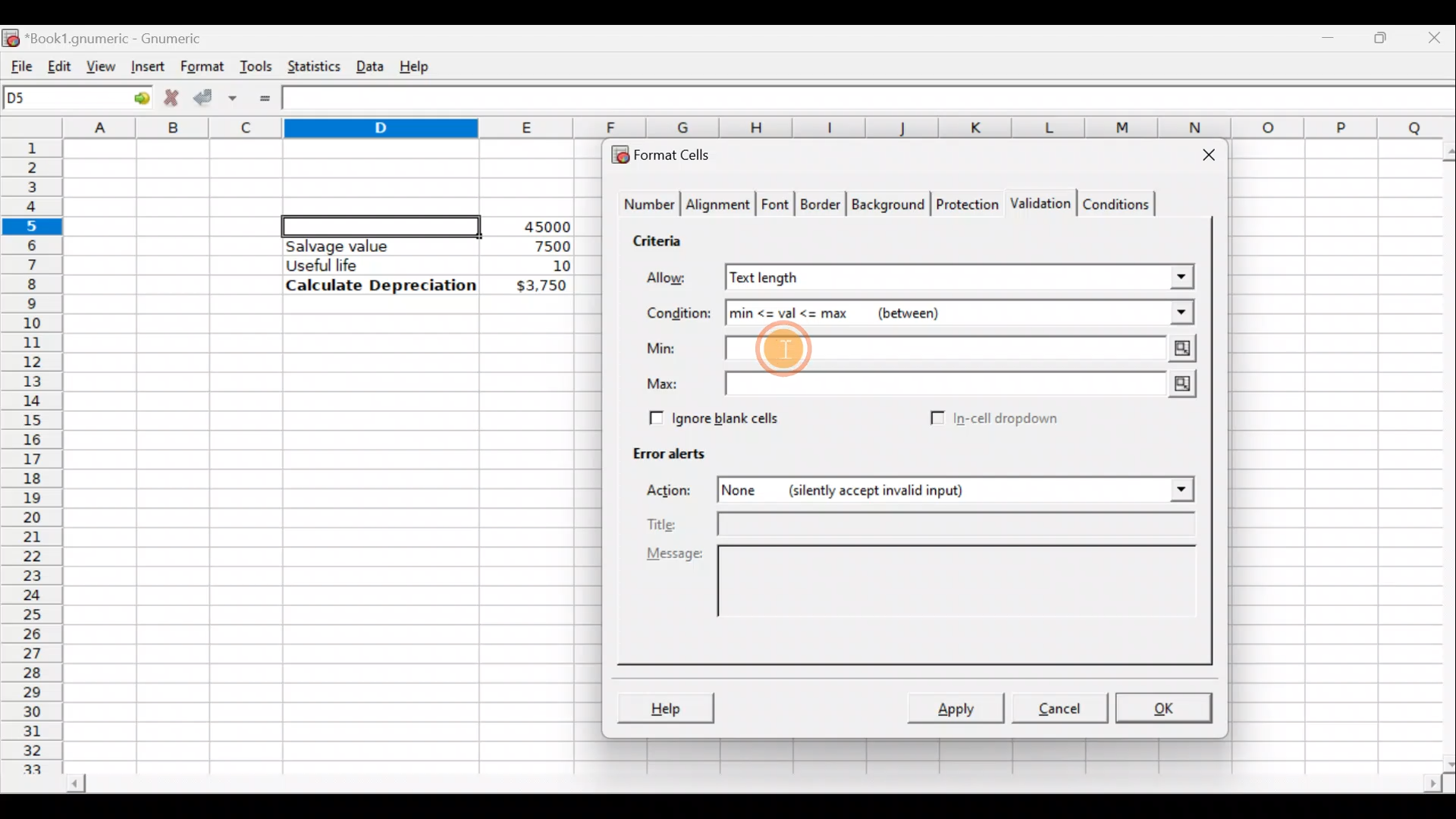 The image size is (1456, 819). I want to click on Allow, so click(677, 280).